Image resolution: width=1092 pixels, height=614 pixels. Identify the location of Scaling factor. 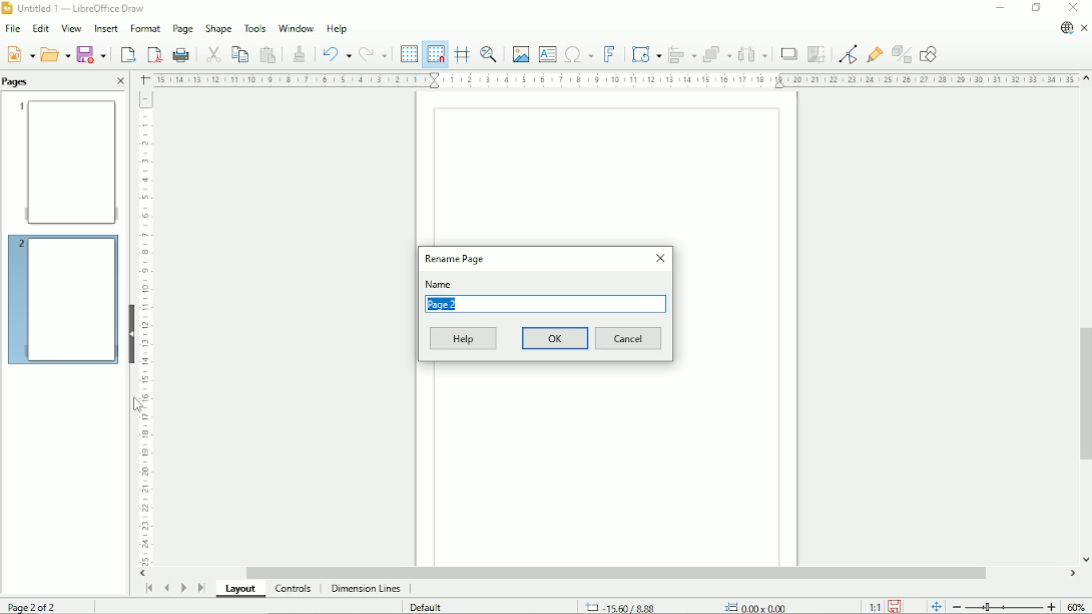
(874, 606).